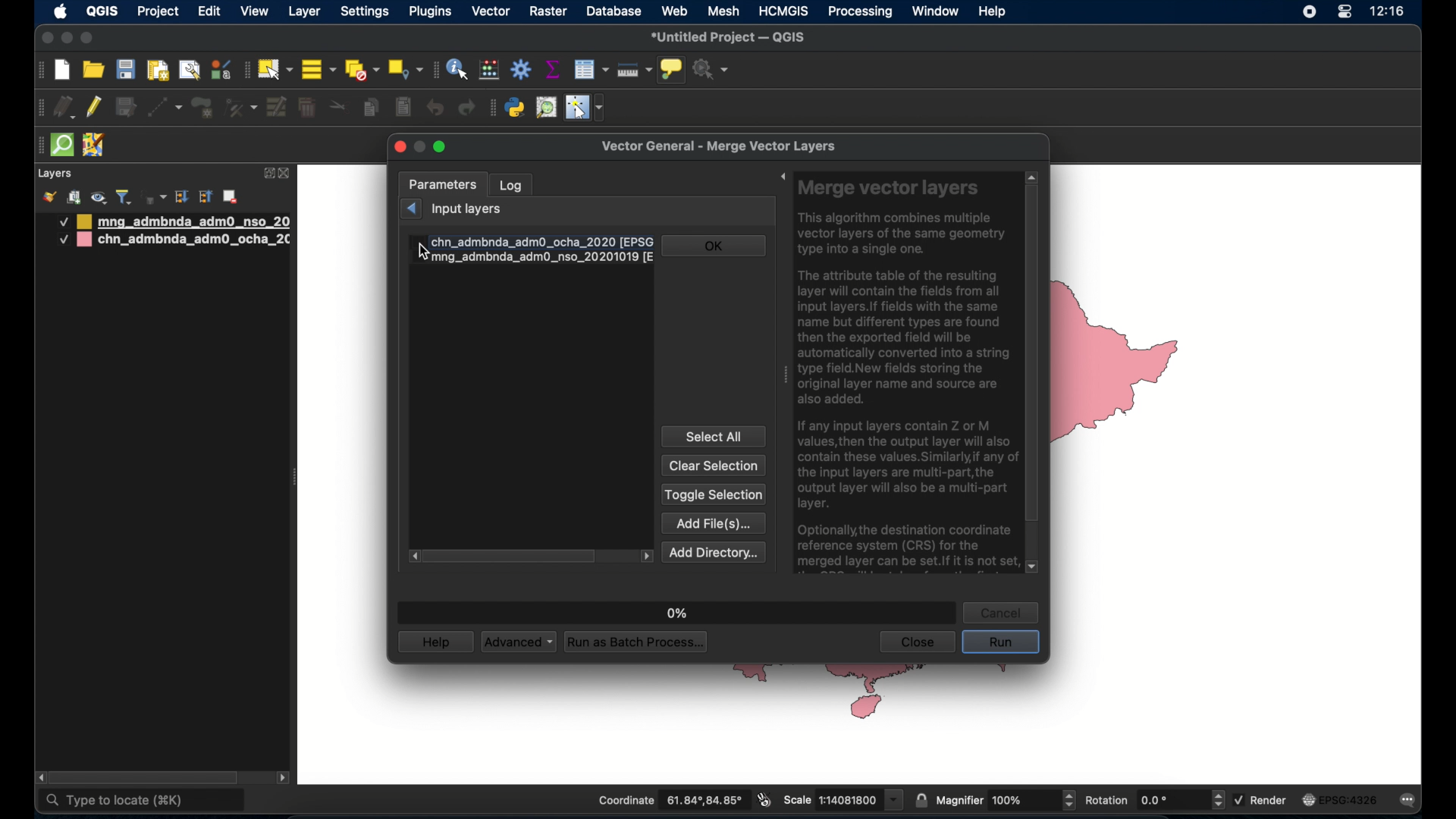 This screenshot has height=819, width=1456. What do you see at coordinates (164, 106) in the screenshot?
I see `digitize with segment` at bounding box center [164, 106].